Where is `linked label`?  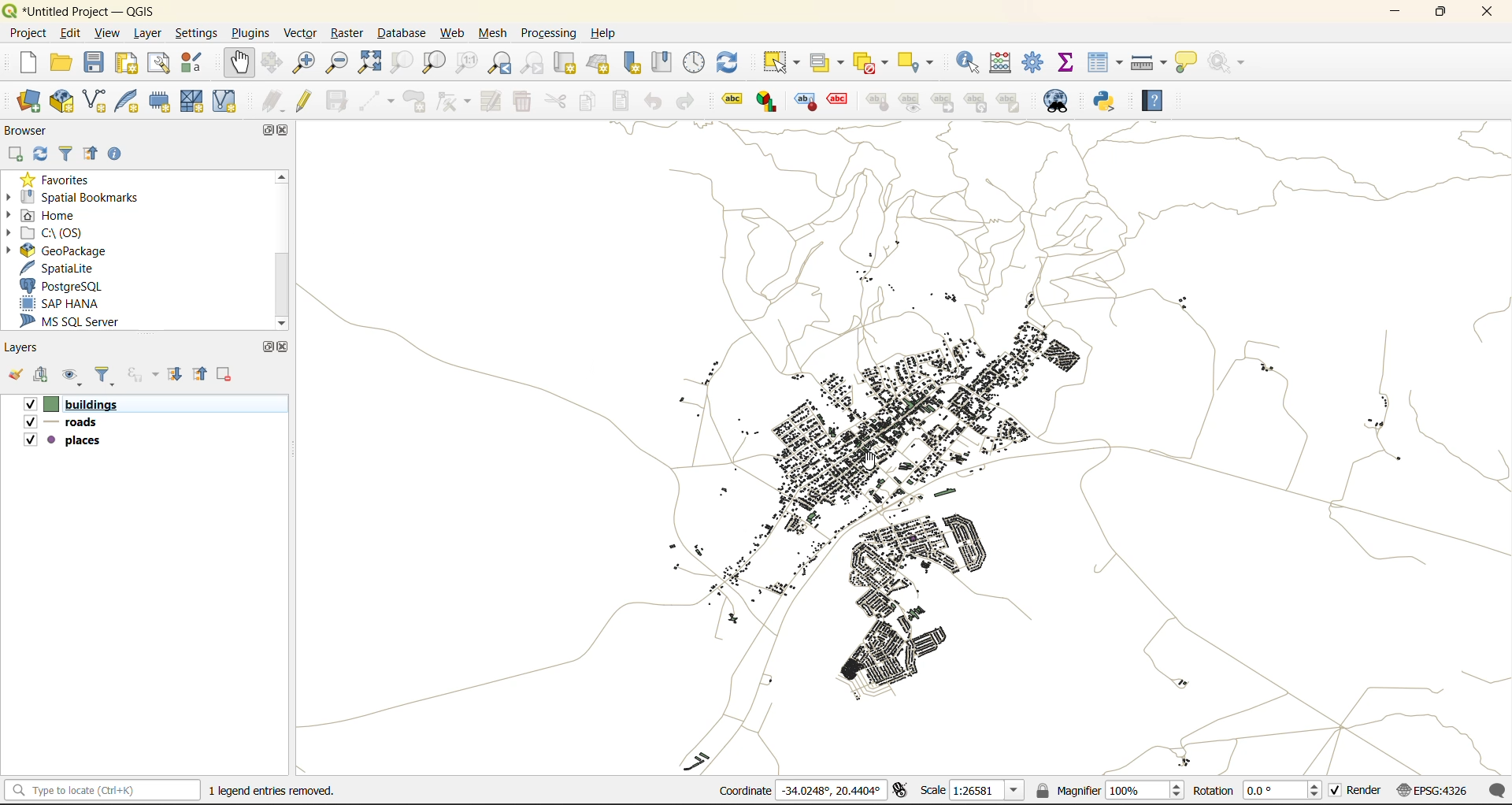 linked label is located at coordinates (947, 103).